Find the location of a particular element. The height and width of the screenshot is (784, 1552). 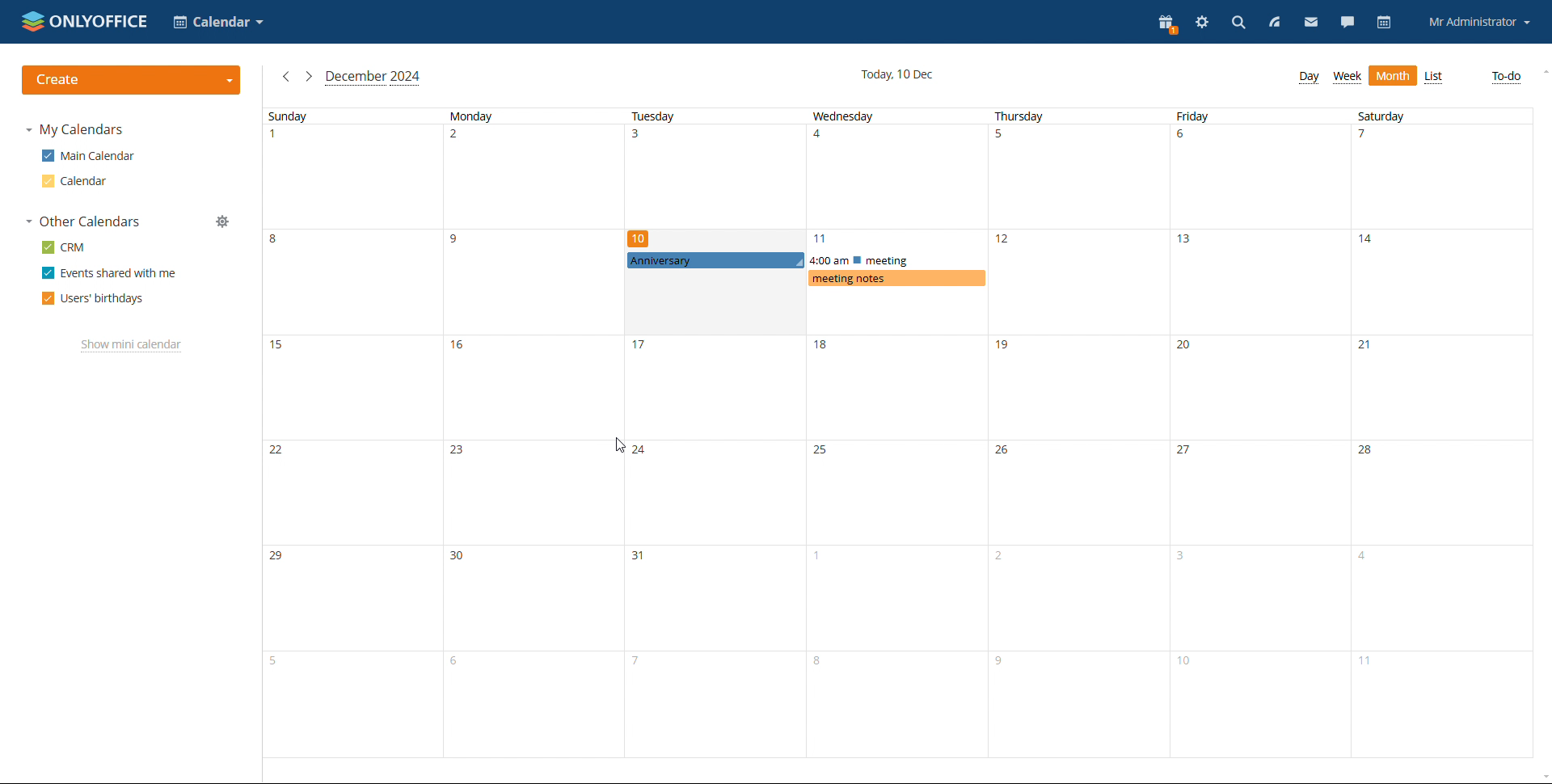

wednesday is located at coordinates (900, 433).